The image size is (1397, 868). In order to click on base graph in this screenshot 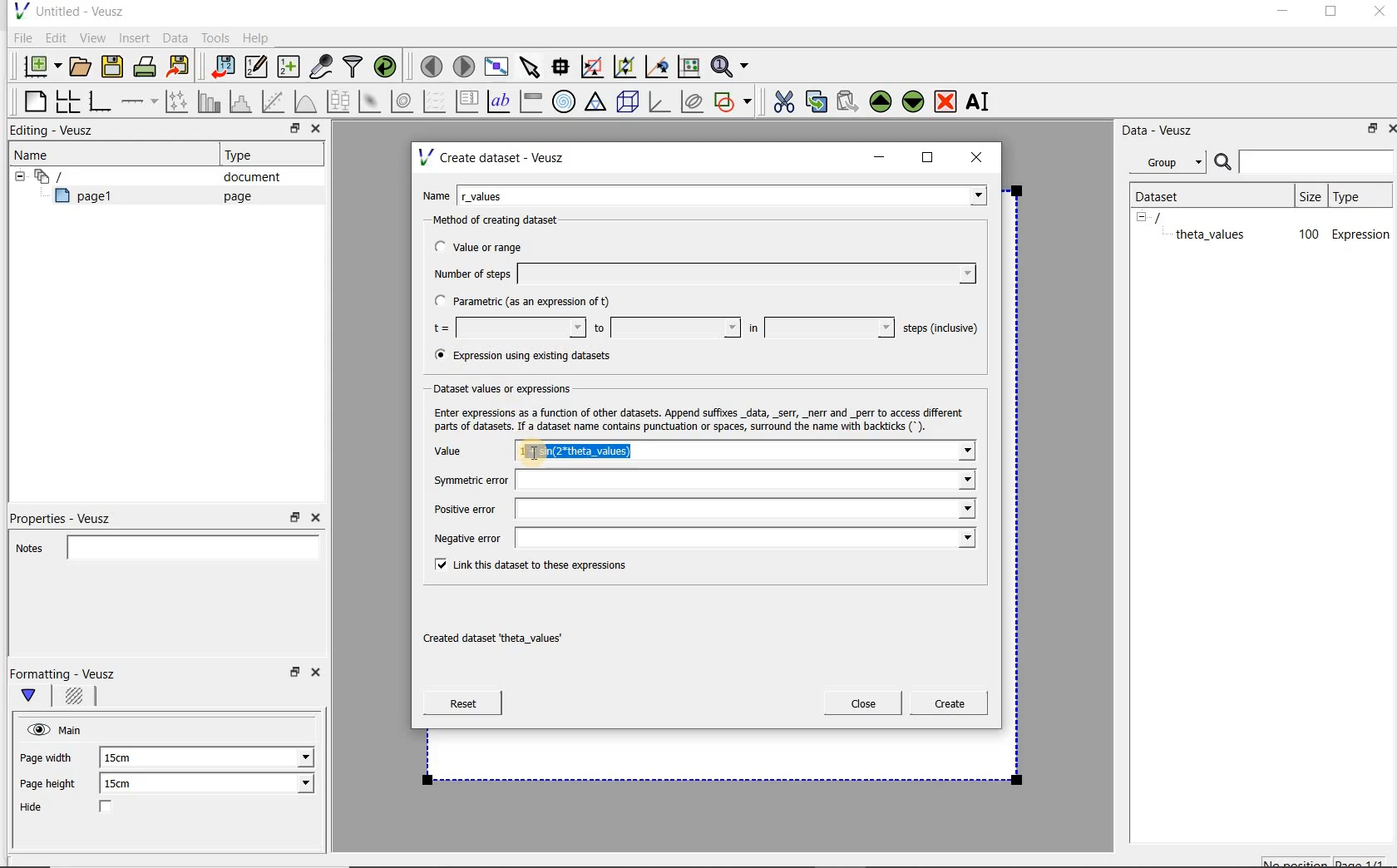, I will do `click(99, 102)`.